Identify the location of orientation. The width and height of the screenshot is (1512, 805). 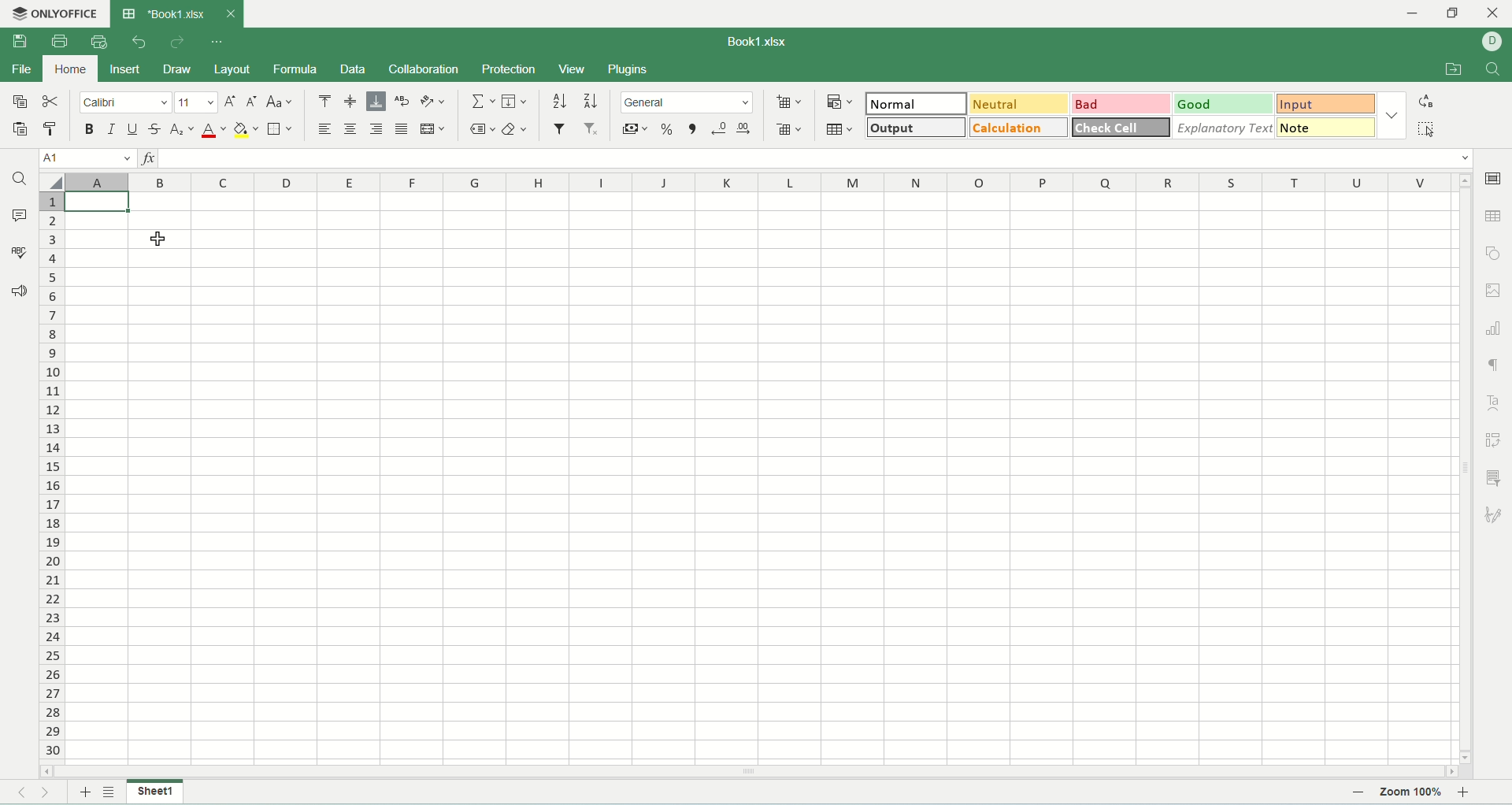
(433, 101).